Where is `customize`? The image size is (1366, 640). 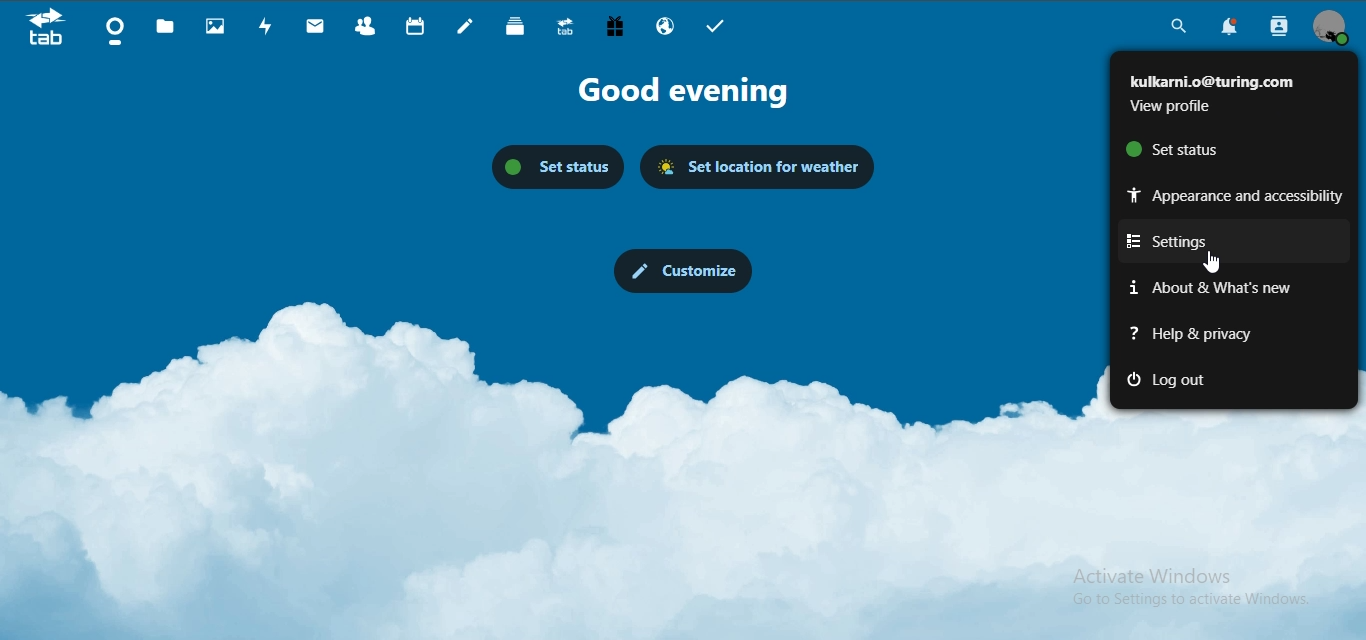
customize is located at coordinates (682, 272).